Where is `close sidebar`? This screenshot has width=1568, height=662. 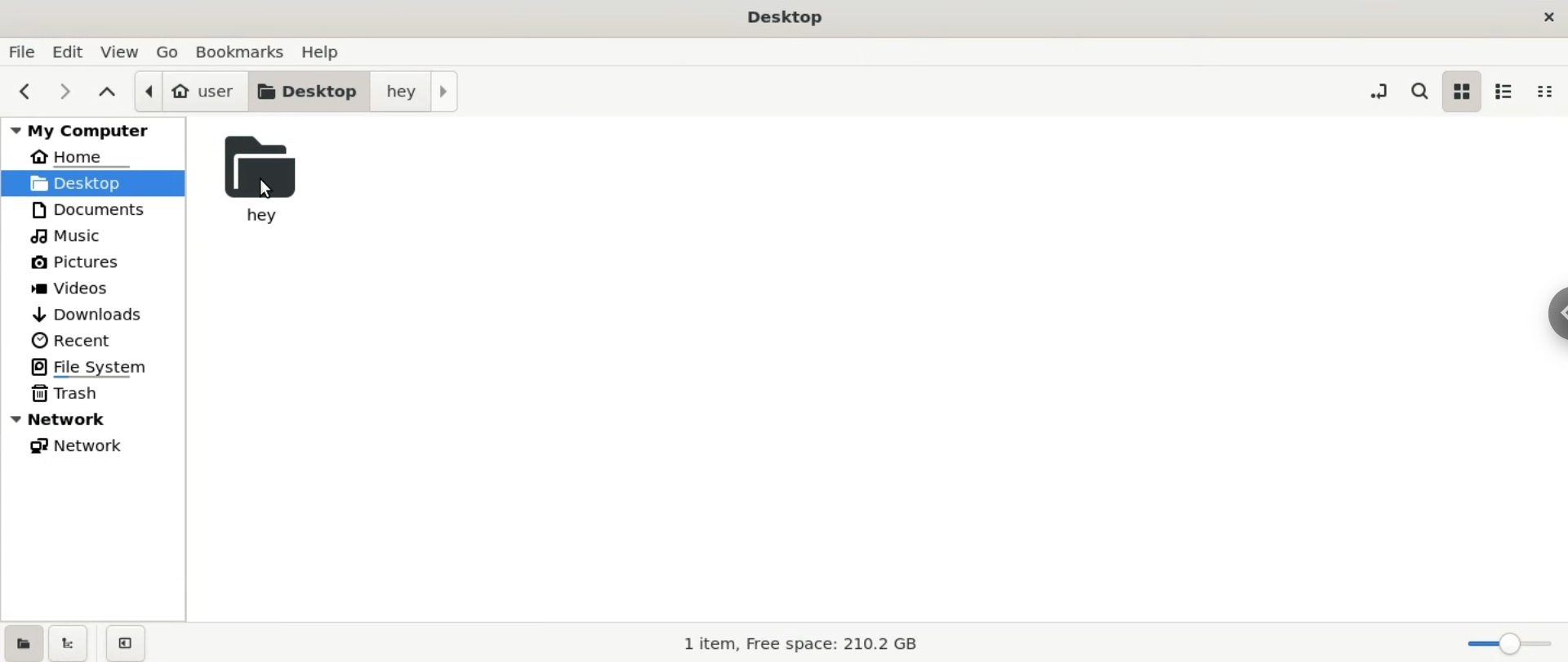
close sidebar is located at coordinates (129, 642).